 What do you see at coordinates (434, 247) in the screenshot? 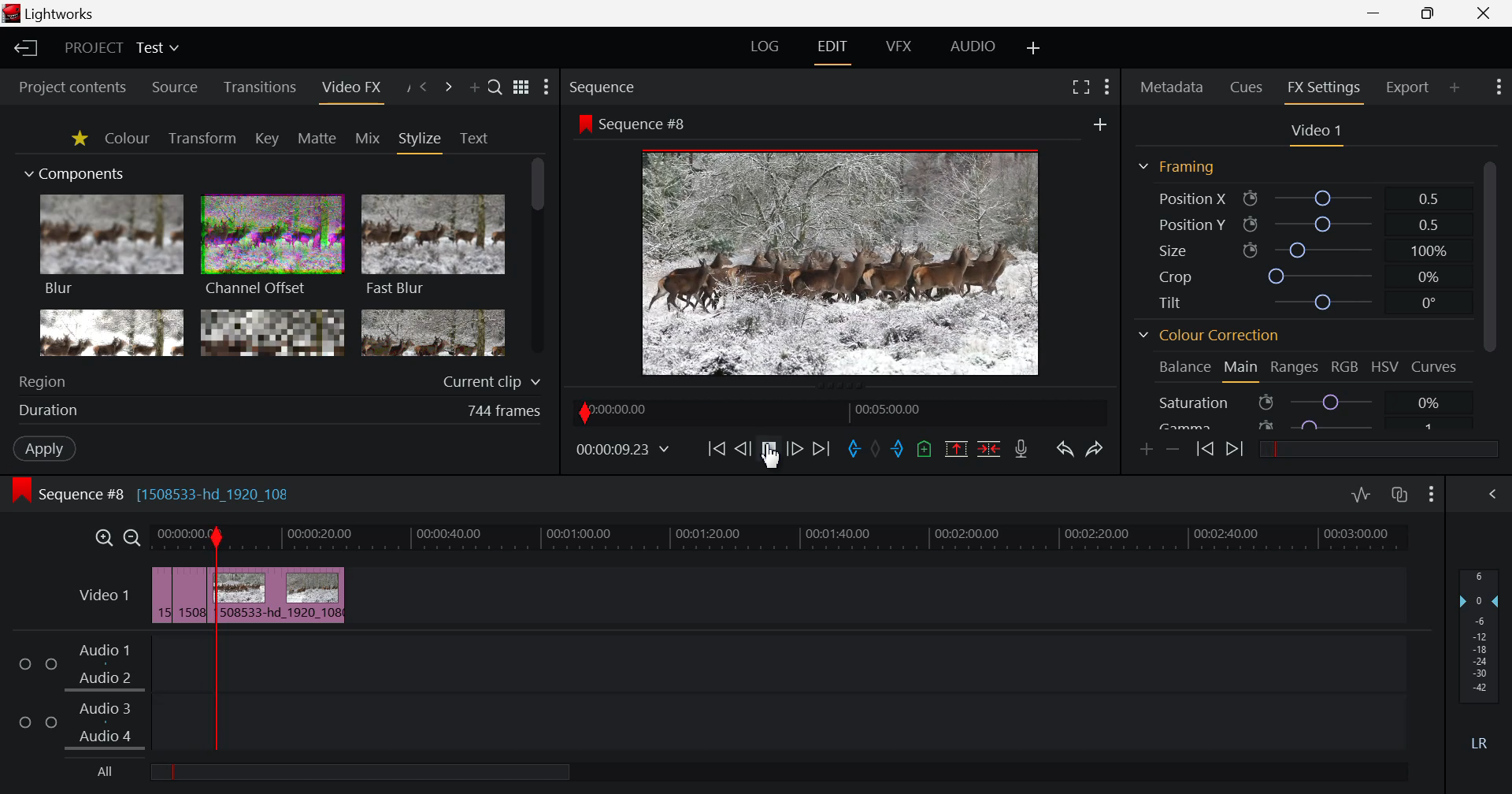
I see `Fast Blur` at bounding box center [434, 247].